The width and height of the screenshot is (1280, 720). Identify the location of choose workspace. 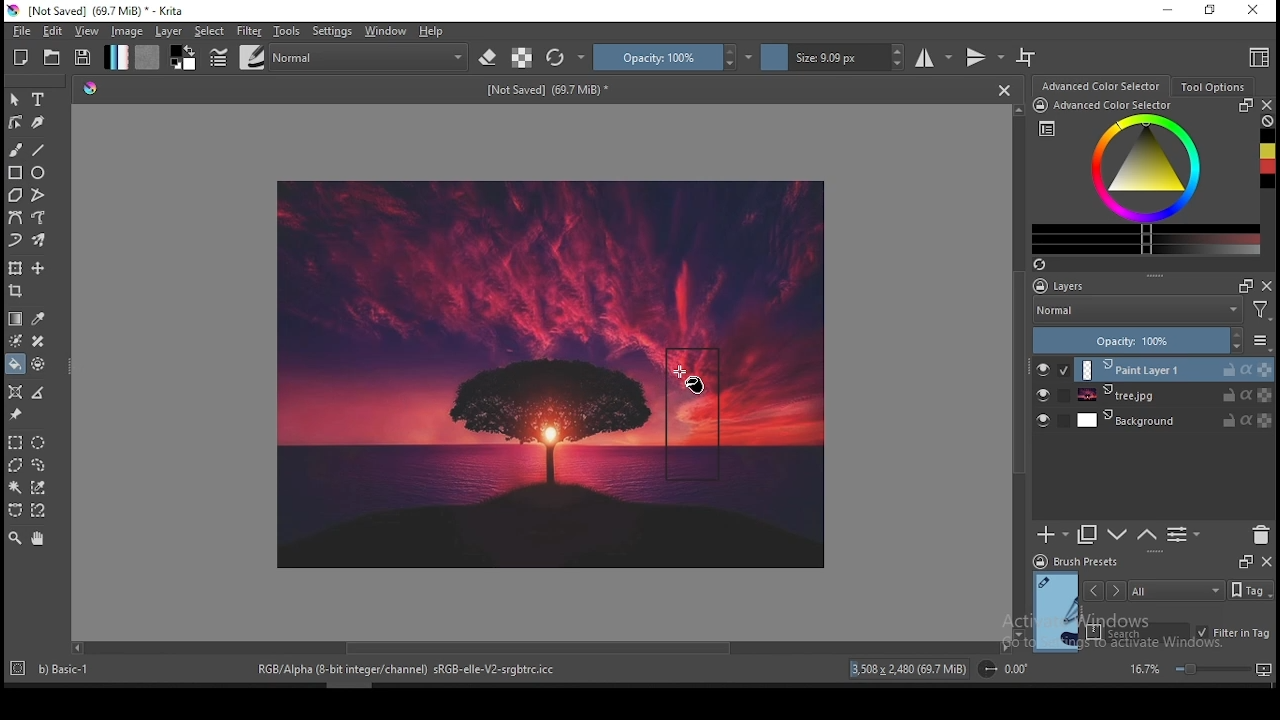
(1257, 59).